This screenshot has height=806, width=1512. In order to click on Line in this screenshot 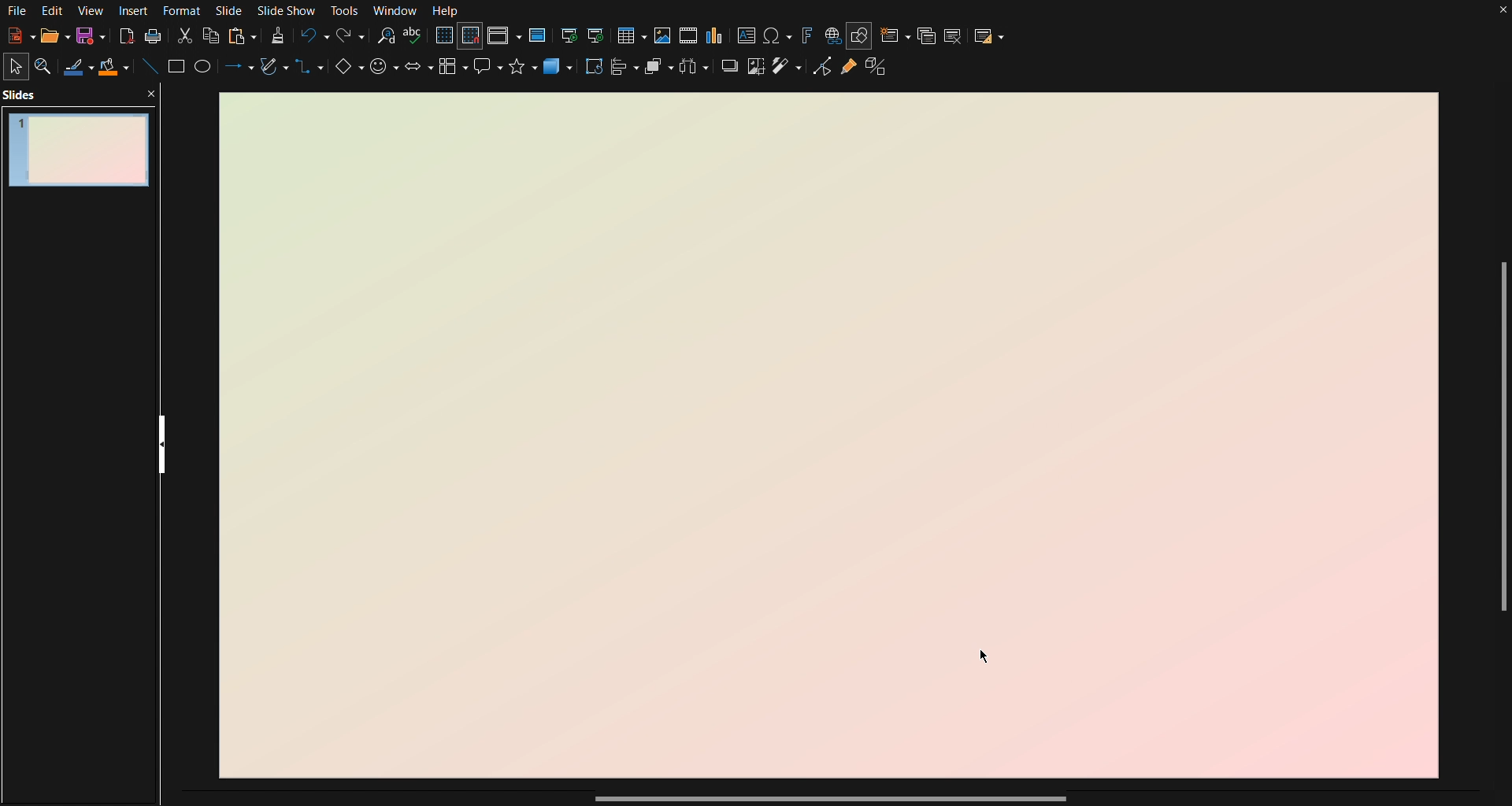, I will do `click(148, 69)`.